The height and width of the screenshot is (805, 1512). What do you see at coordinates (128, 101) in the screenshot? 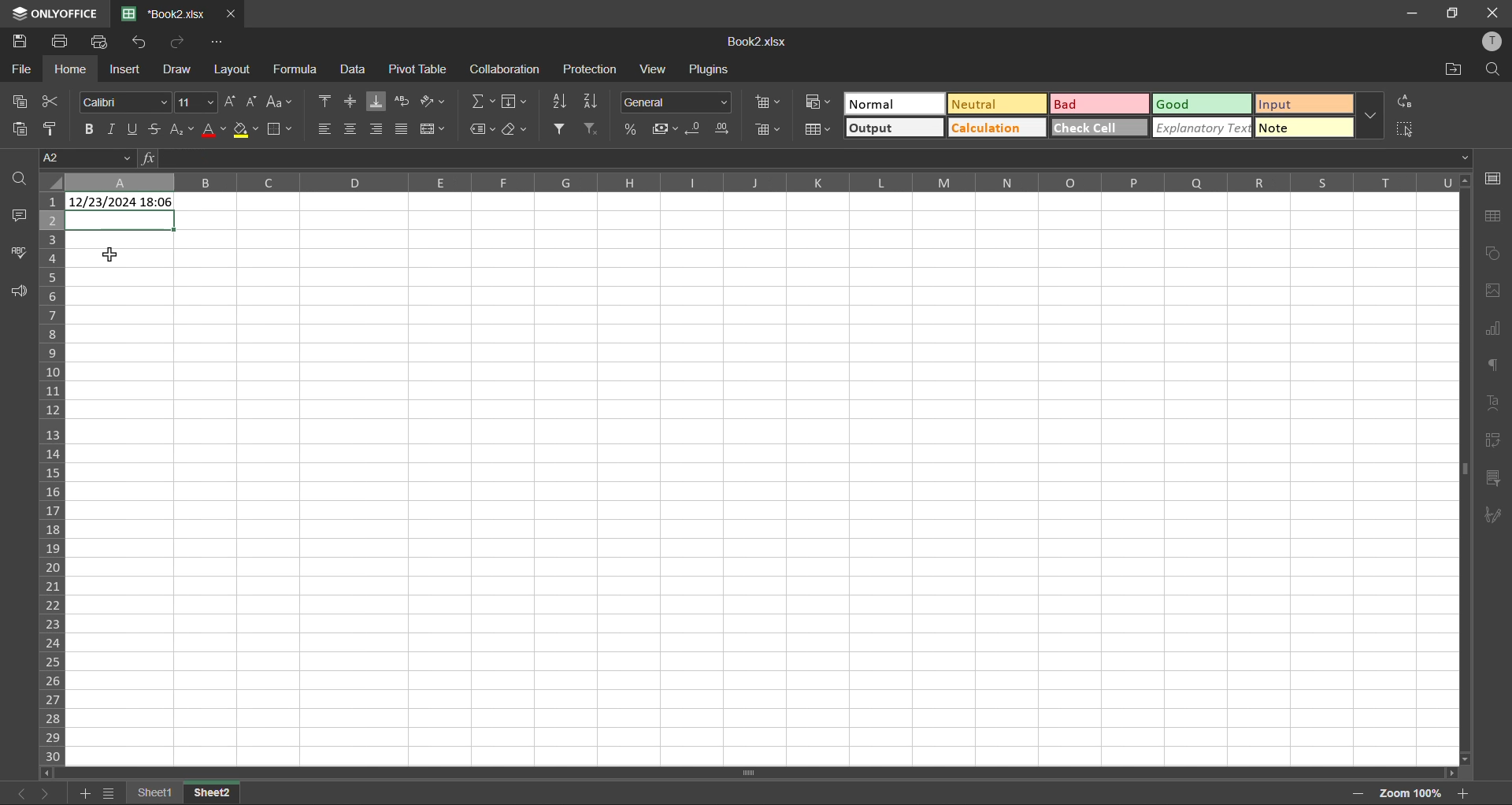
I see `font style` at bounding box center [128, 101].